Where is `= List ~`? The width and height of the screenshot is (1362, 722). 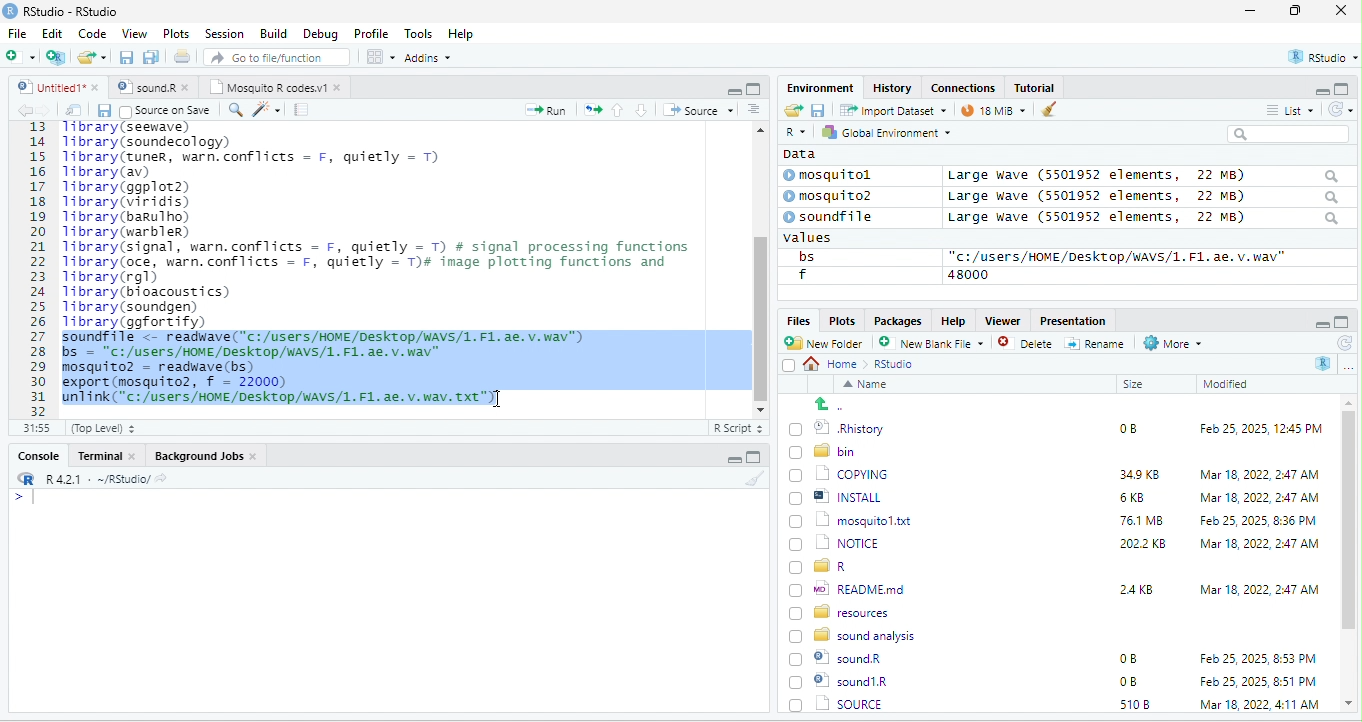
= List ~ is located at coordinates (1286, 110).